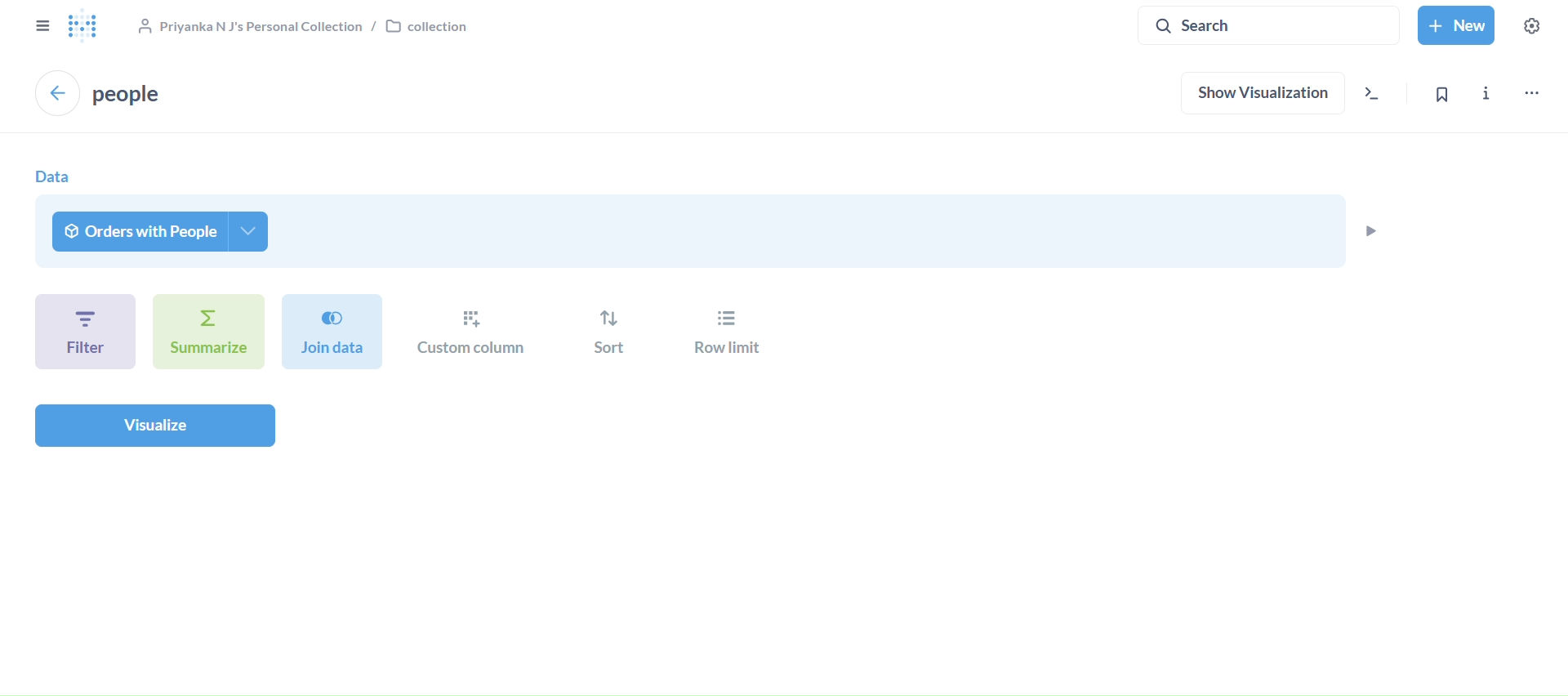  What do you see at coordinates (130, 93) in the screenshot?
I see ` people` at bounding box center [130, 93].